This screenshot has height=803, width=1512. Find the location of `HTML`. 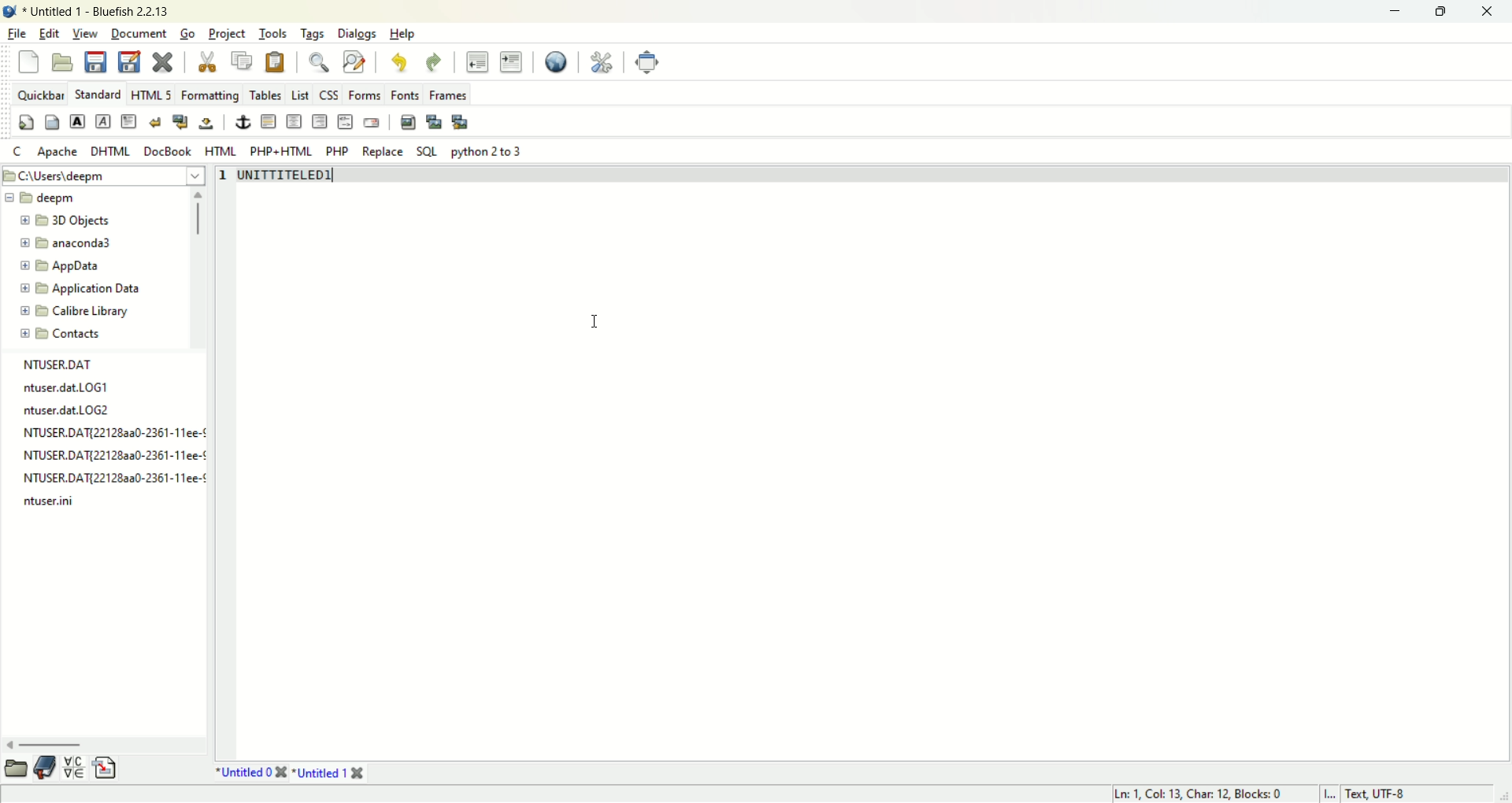

HTML is located at coordinates (220, 150).